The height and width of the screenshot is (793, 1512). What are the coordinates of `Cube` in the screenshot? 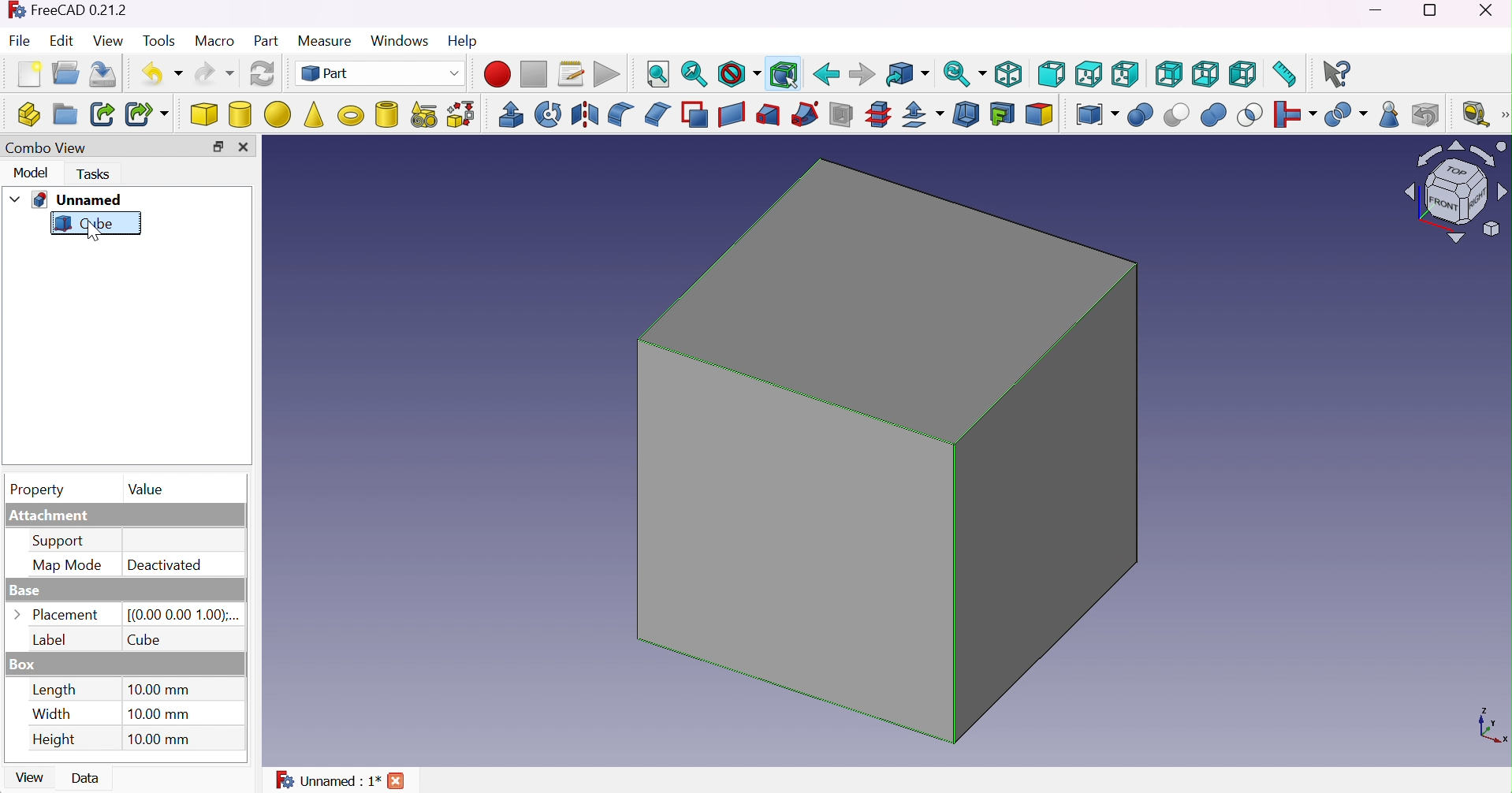 It's located at (147, 640).